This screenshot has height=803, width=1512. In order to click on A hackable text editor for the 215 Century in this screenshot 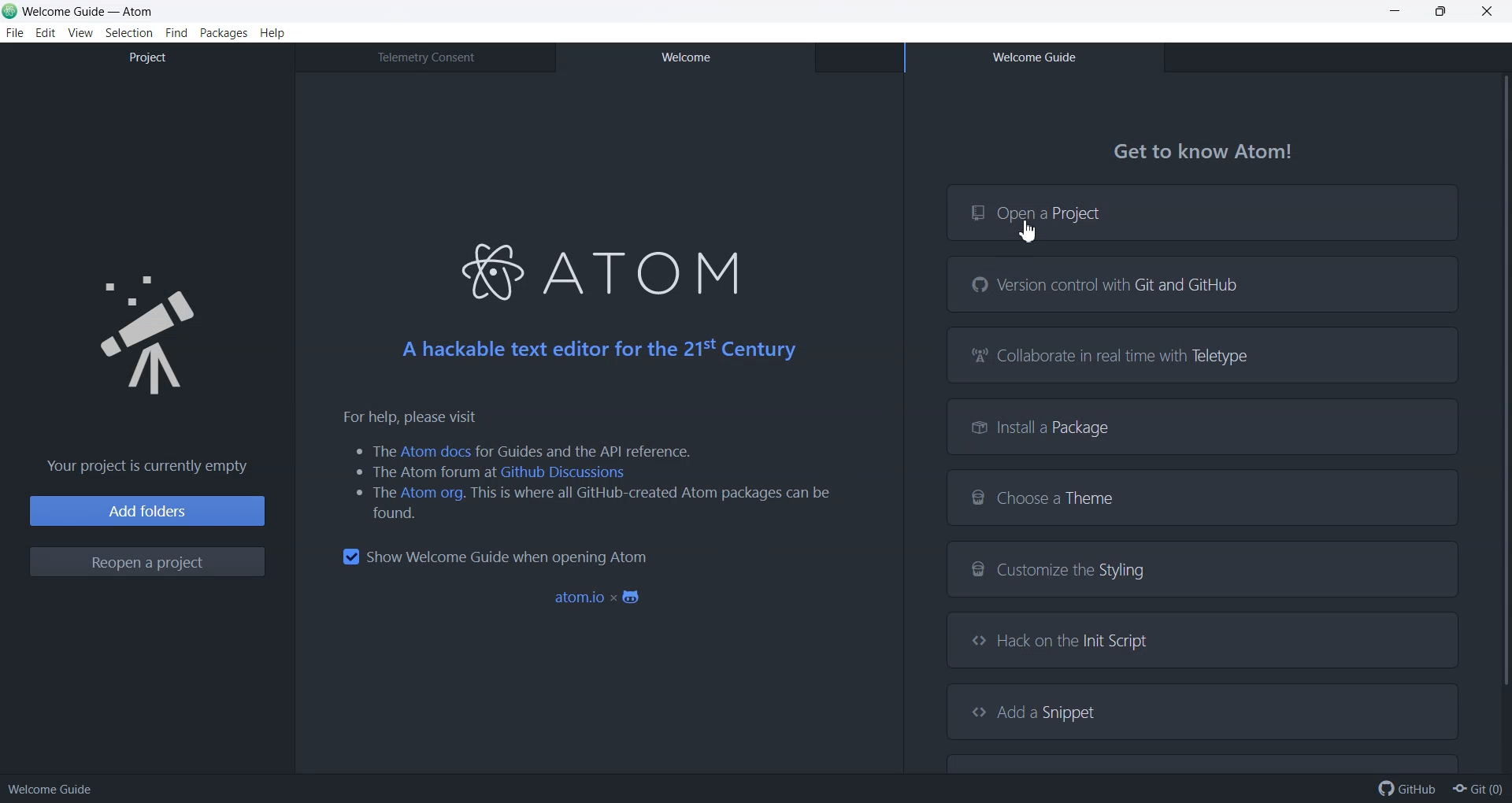, I will do `click(598, 349)`.